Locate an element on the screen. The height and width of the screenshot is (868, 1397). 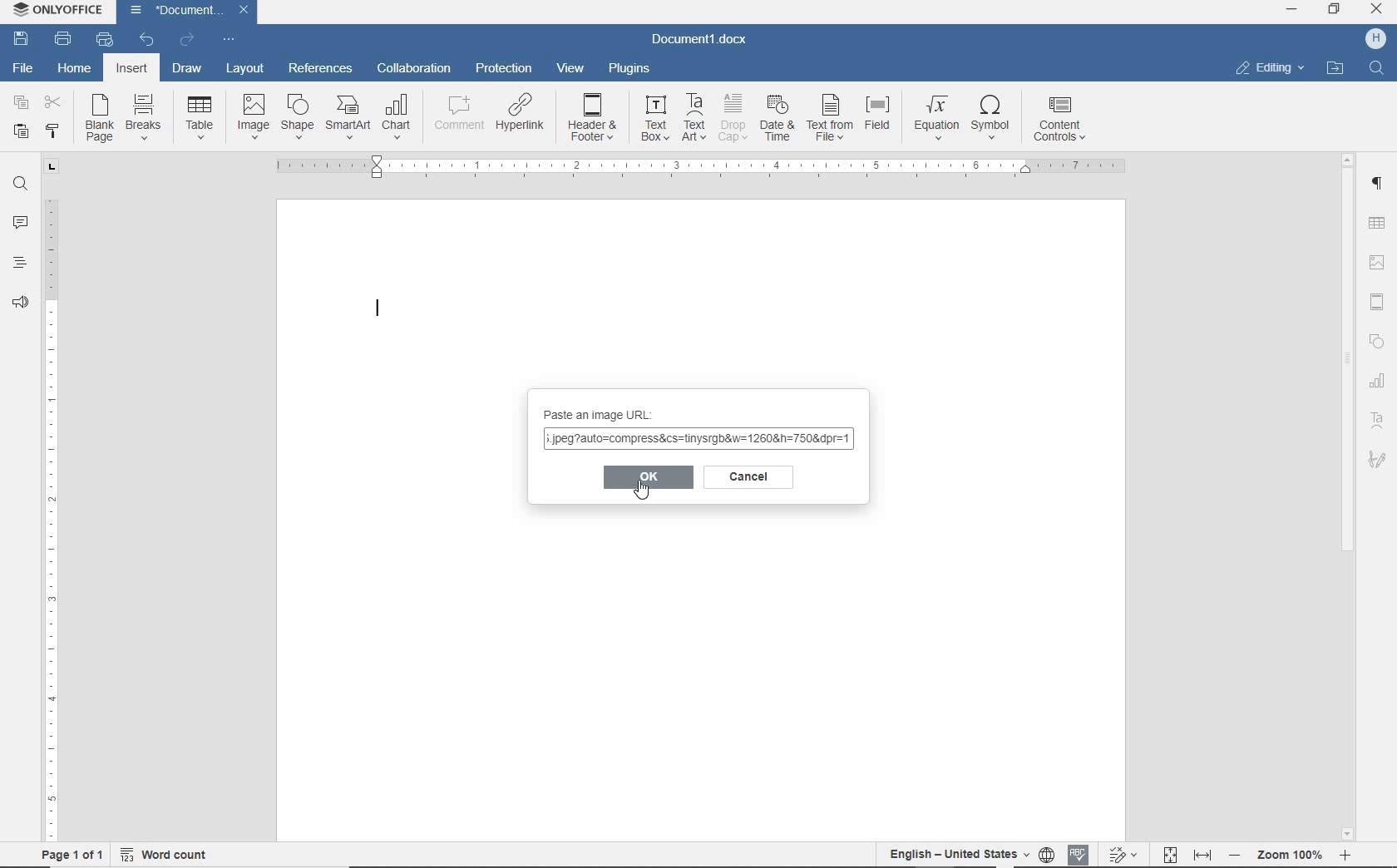
shape is located at coordinates (298, 116).